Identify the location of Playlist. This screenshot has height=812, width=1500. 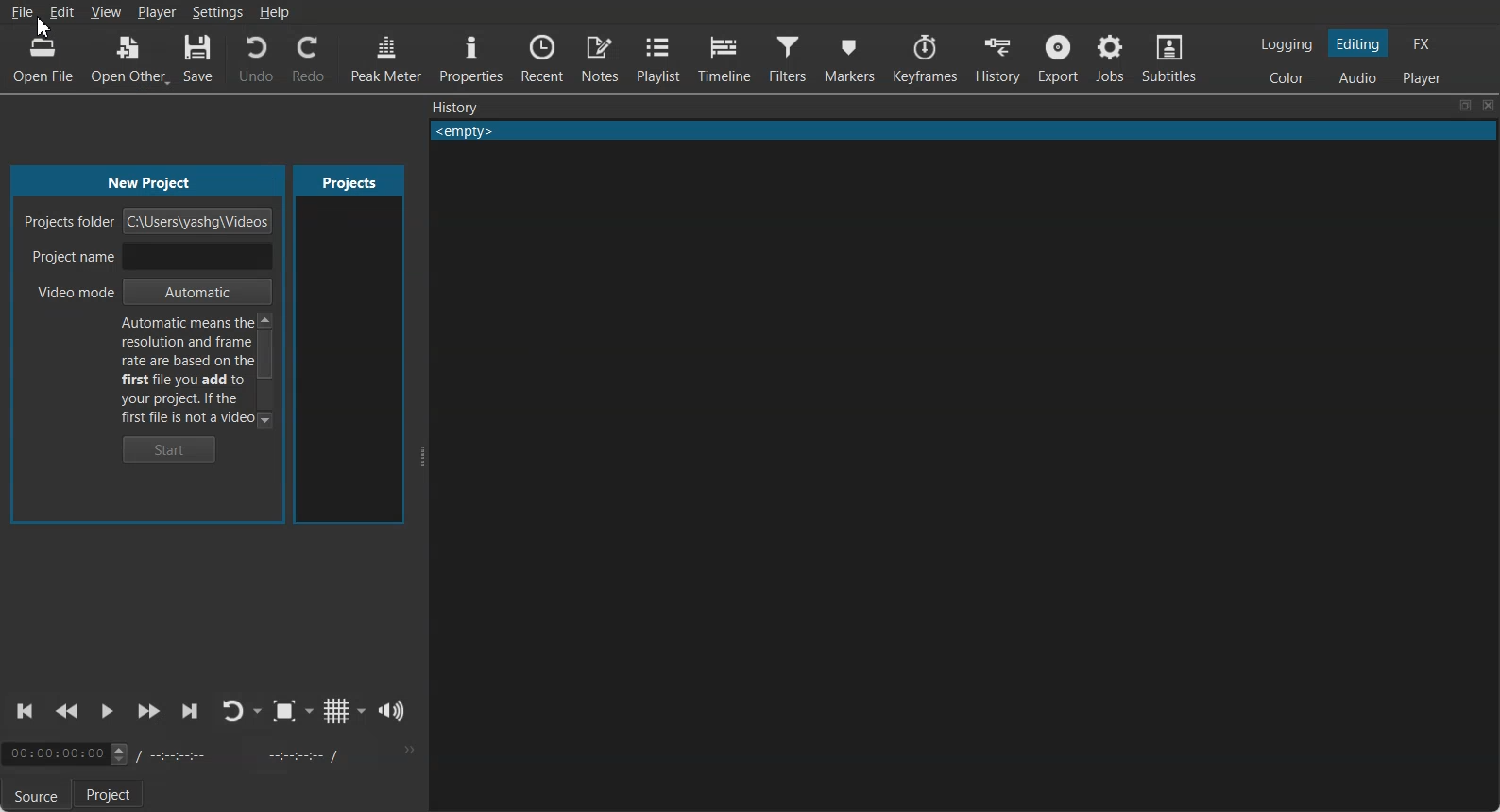
(657, 58).